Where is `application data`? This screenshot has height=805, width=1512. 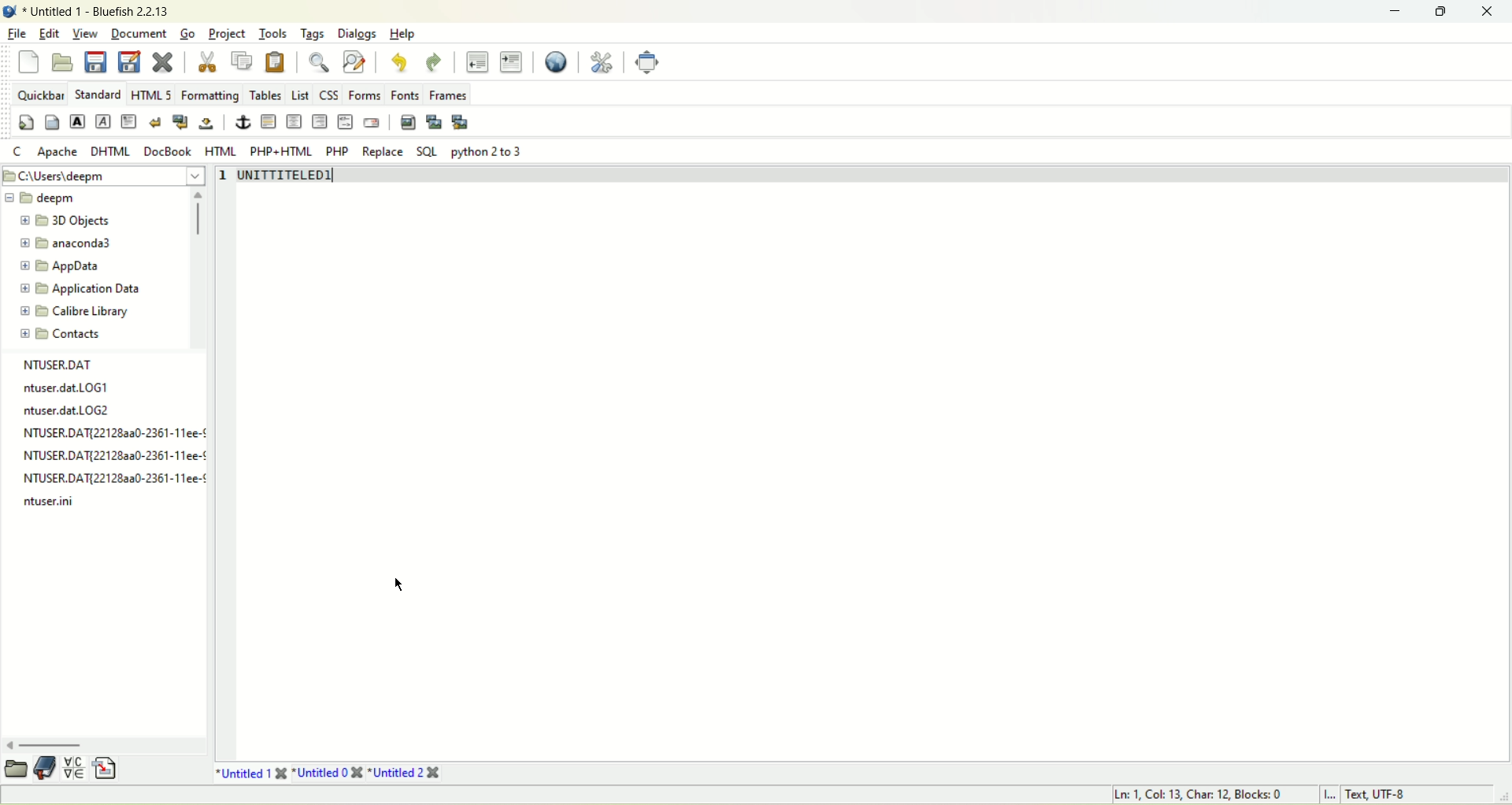 application data is located at coordinates (91, 288).